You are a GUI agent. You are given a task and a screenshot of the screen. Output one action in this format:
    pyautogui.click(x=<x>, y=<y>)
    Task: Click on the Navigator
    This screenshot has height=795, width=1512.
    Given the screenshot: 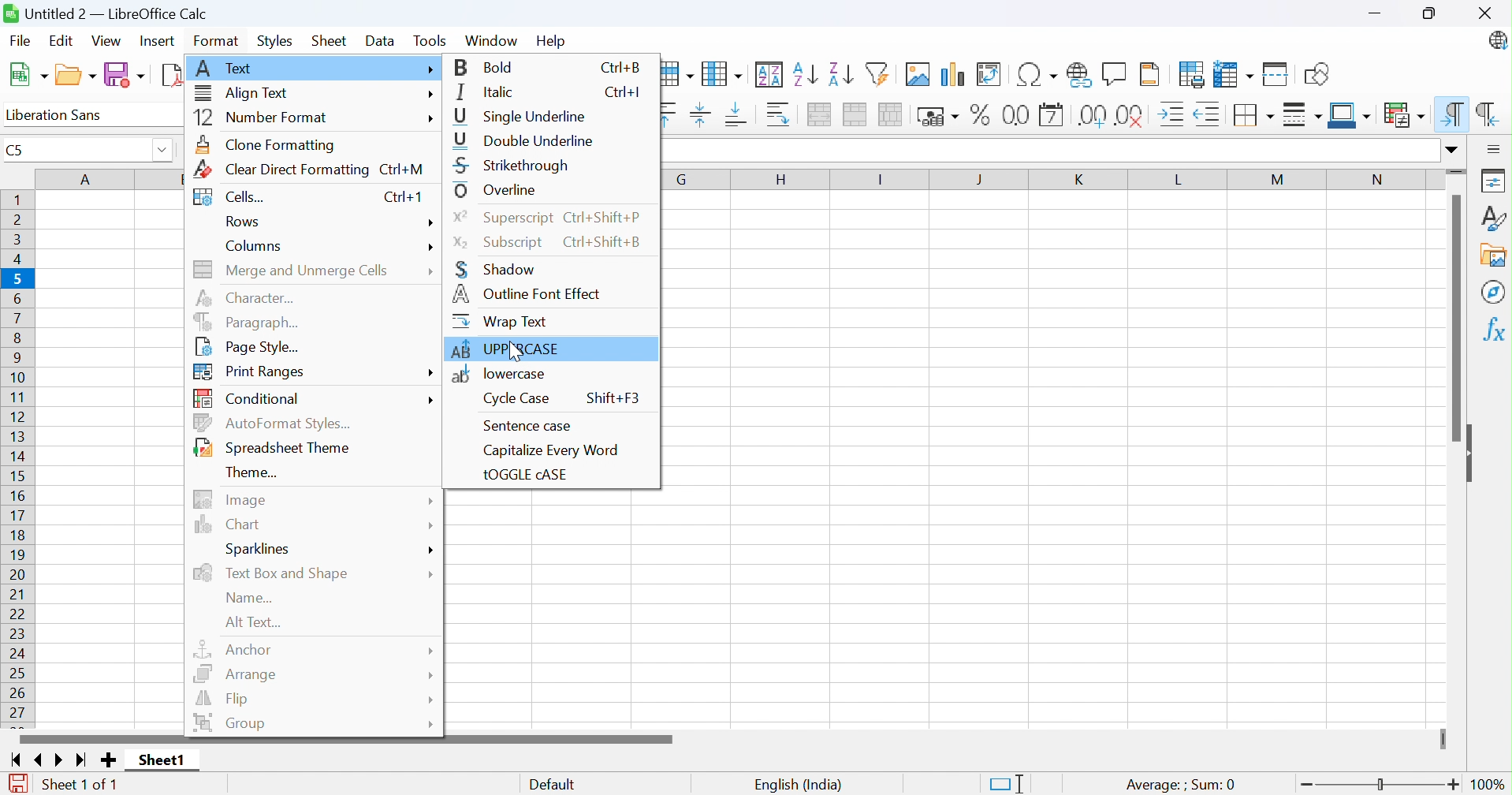 What is the action you would take?
    pyautogui.click(x=1493, y=293)
    